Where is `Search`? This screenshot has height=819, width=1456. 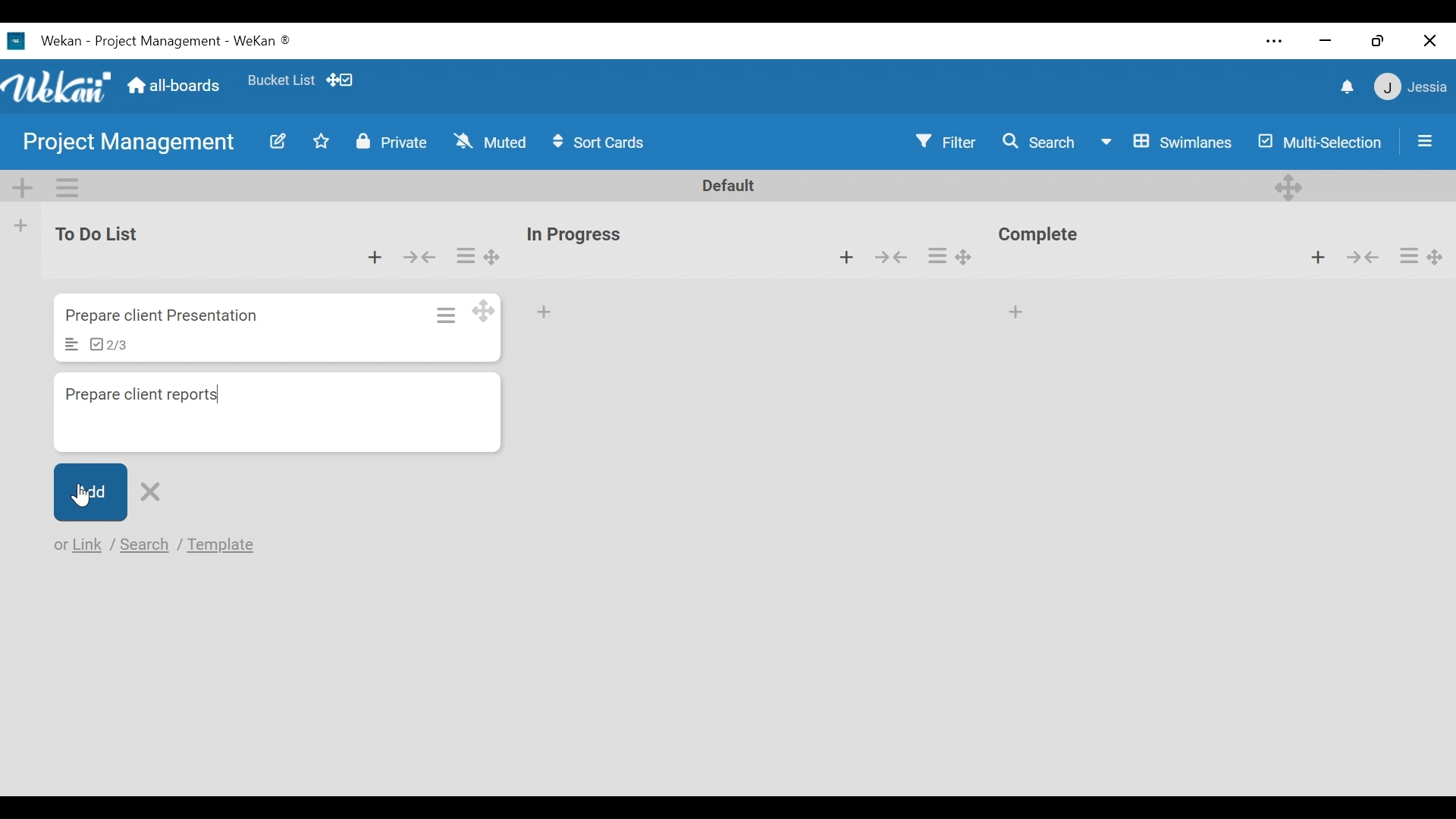 Search is located at coordinates (1036, 142).